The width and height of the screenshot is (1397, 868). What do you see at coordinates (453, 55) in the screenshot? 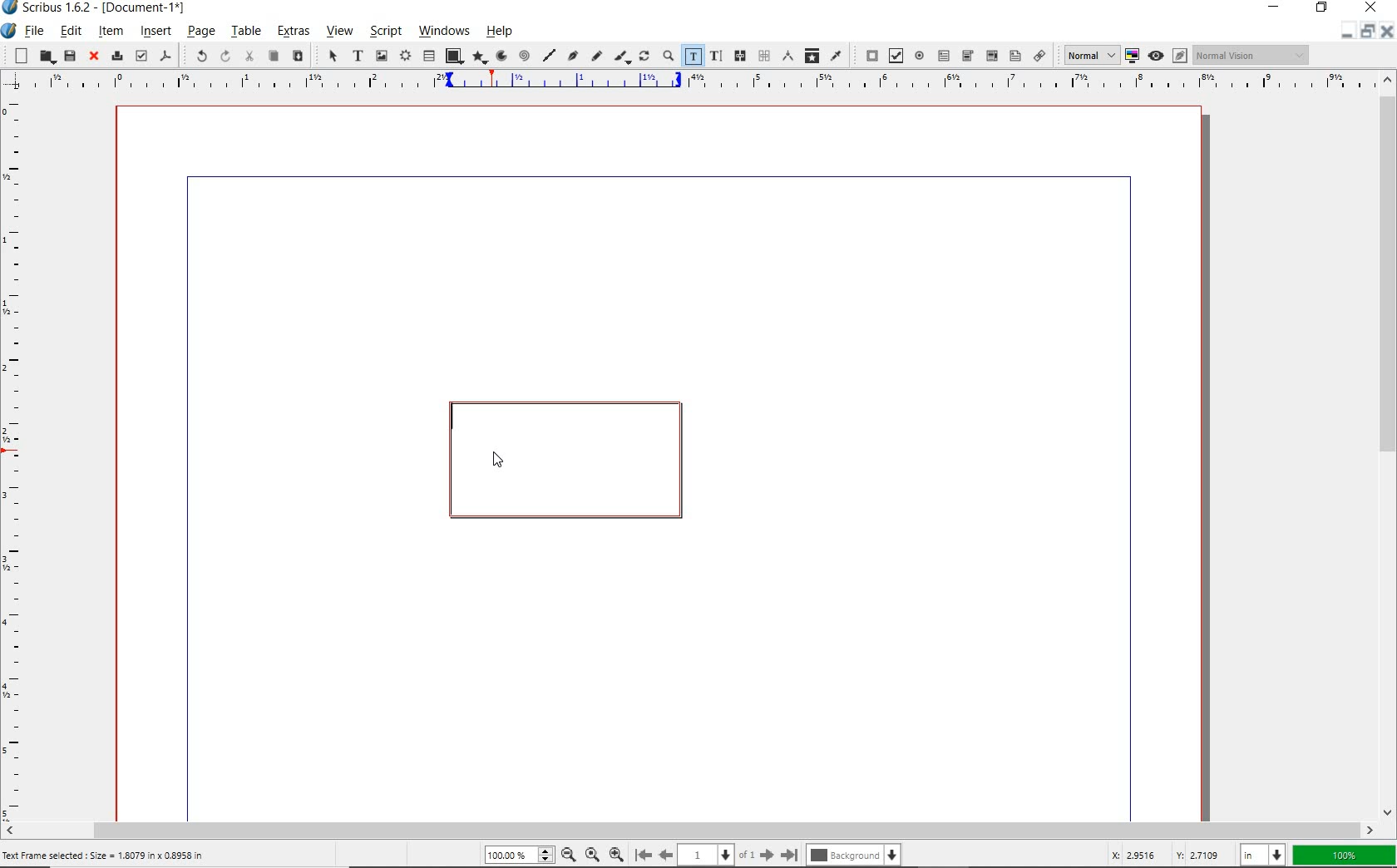
I see `shape` at bounding box center [453, 55].